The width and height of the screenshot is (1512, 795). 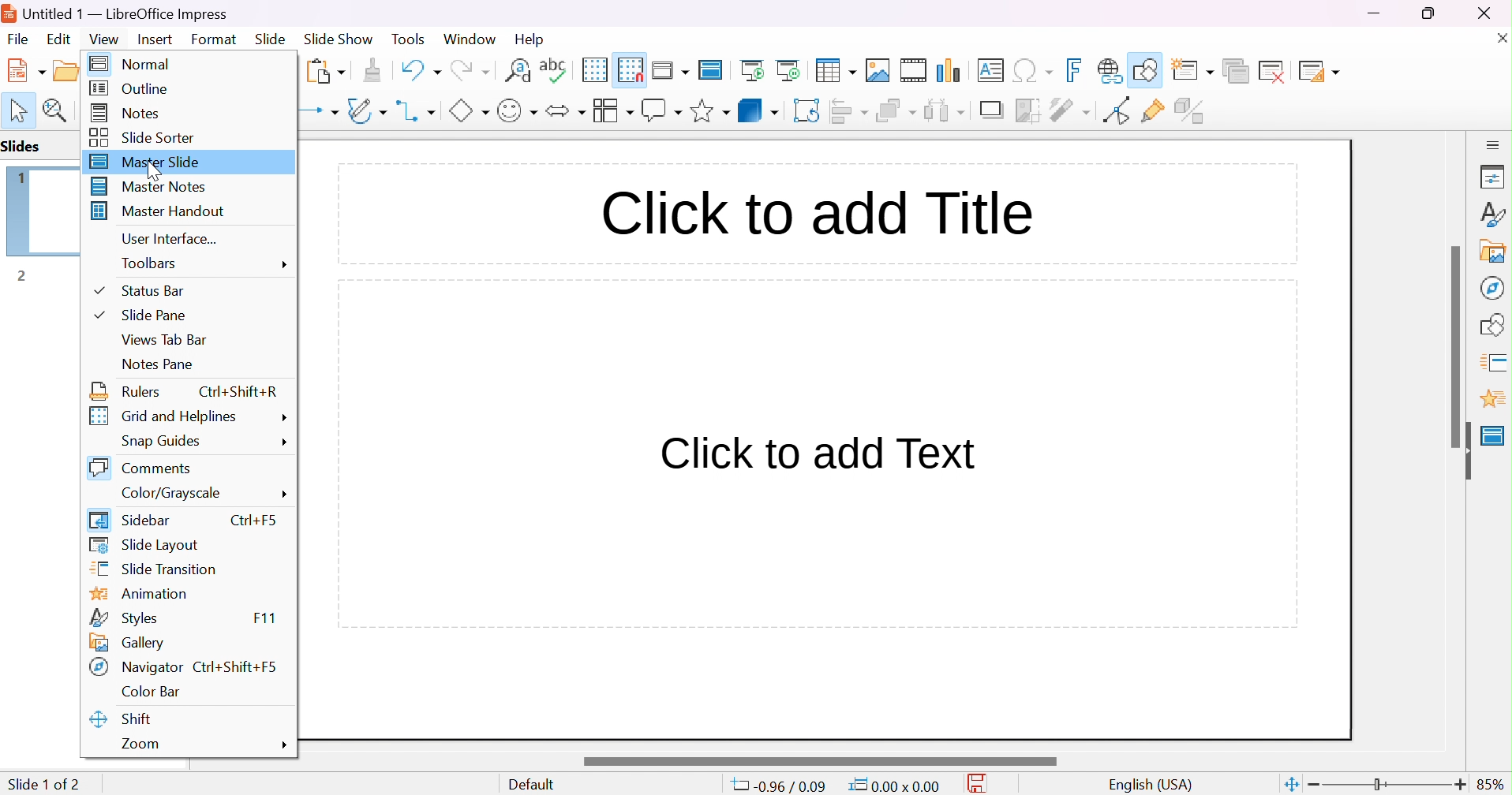 I want to click on spelling, so click(x=553, y=66).